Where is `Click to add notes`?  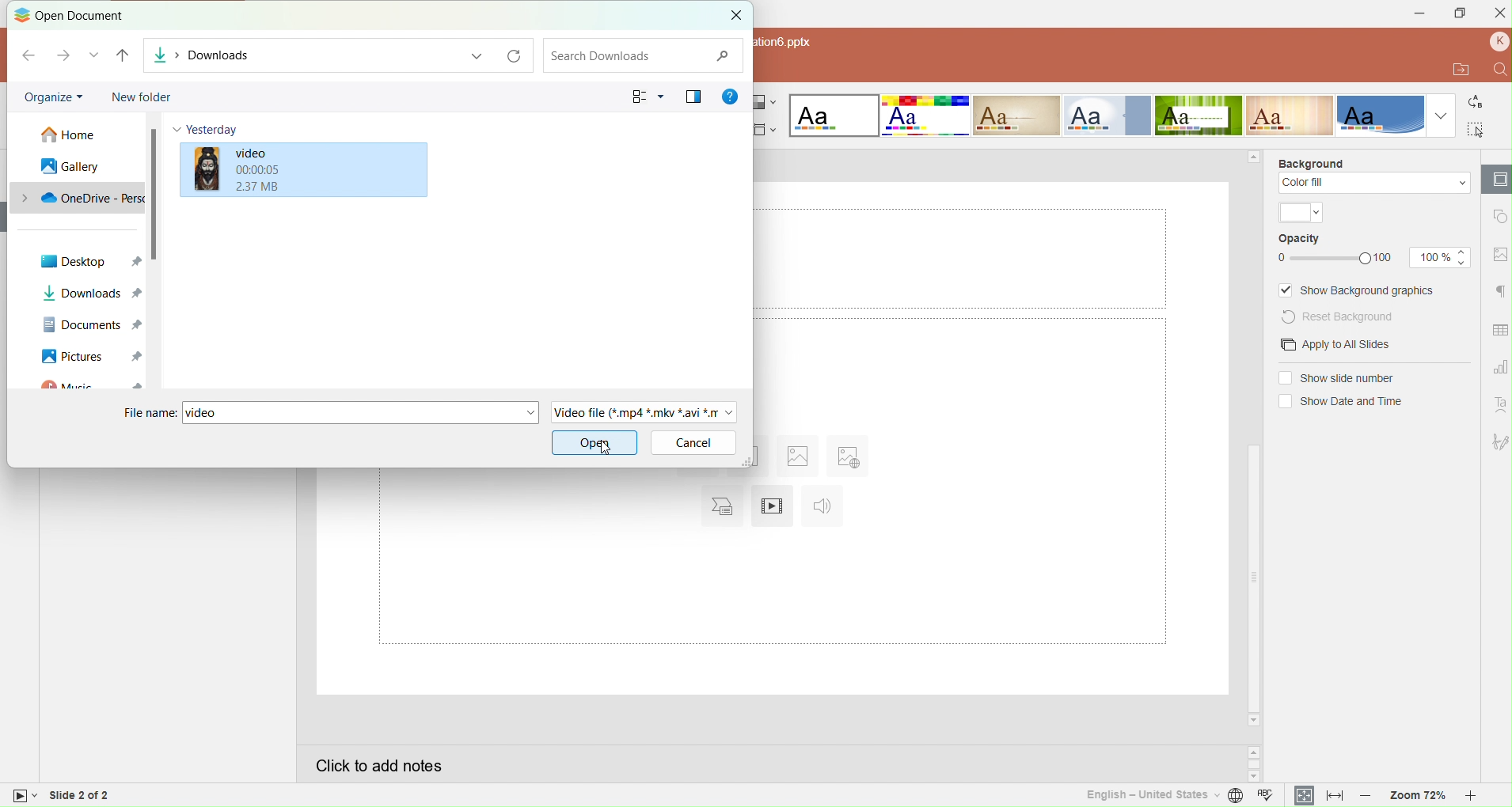
Click to add notes is located at coordinates (764, 763).